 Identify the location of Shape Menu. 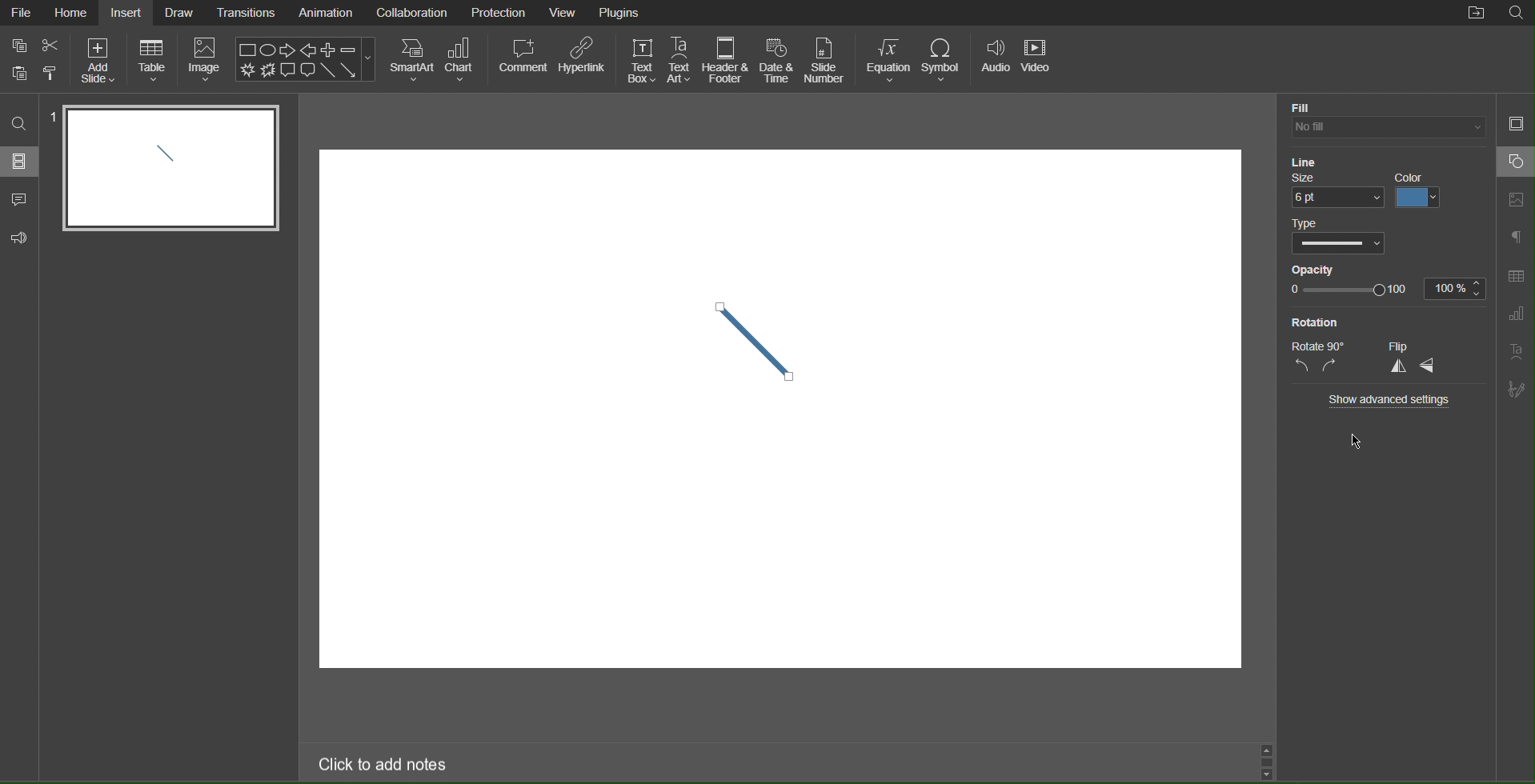
(305, 58).